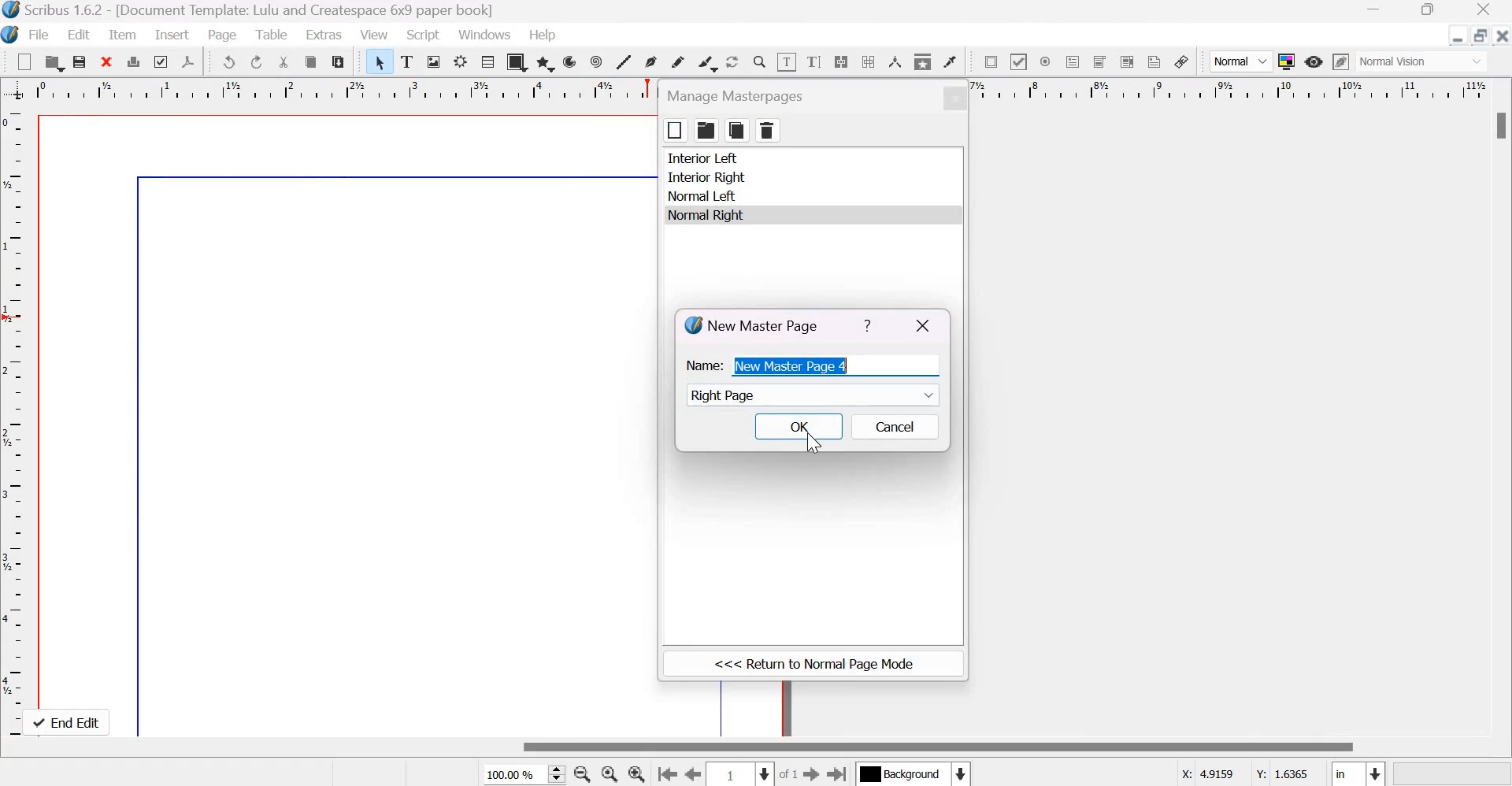 The width and height of the screenshot is (1512, 786). I want to click on Text annotation, so click(1154, 61).